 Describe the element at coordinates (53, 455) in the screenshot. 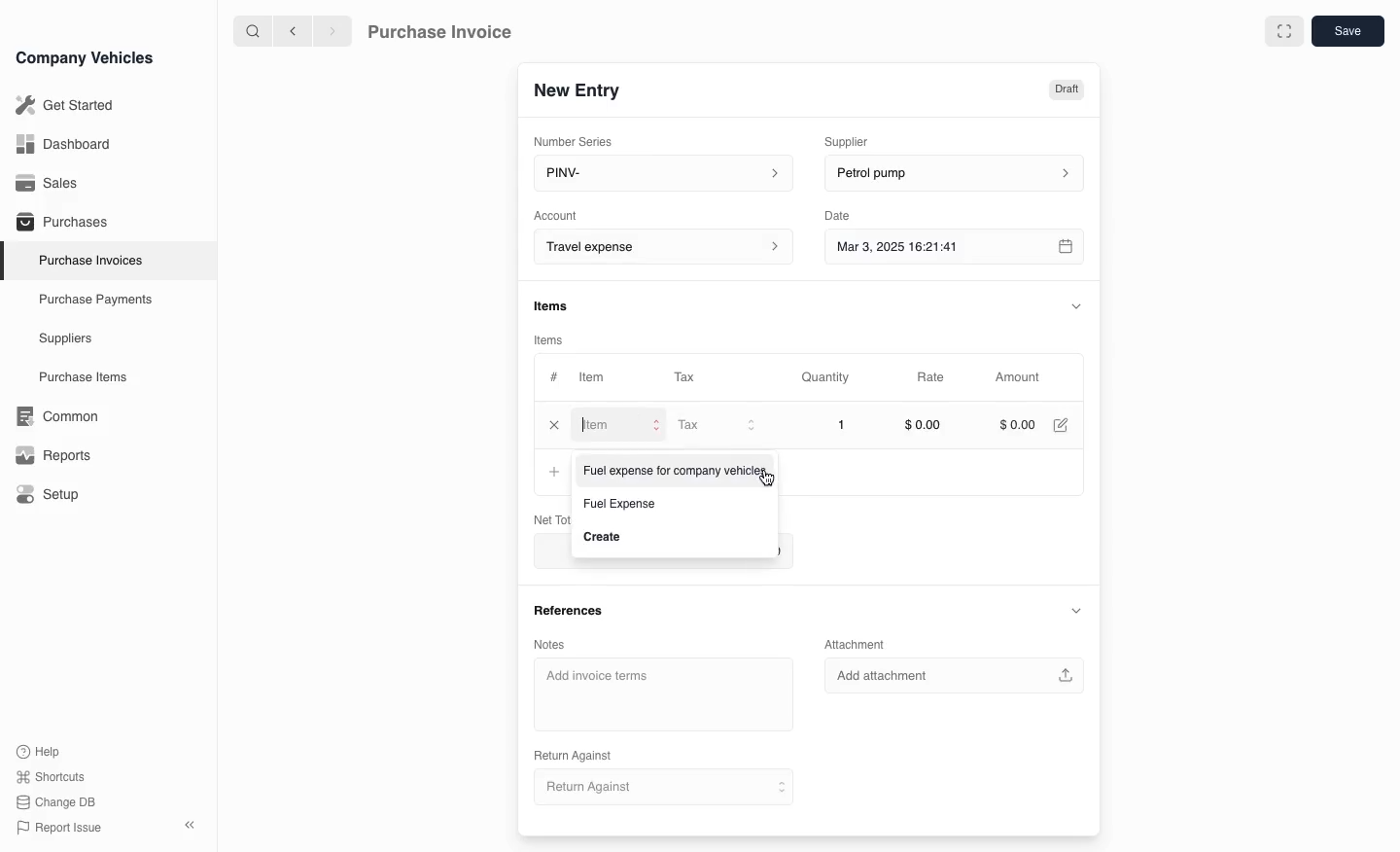

I see `Reports` at that location.